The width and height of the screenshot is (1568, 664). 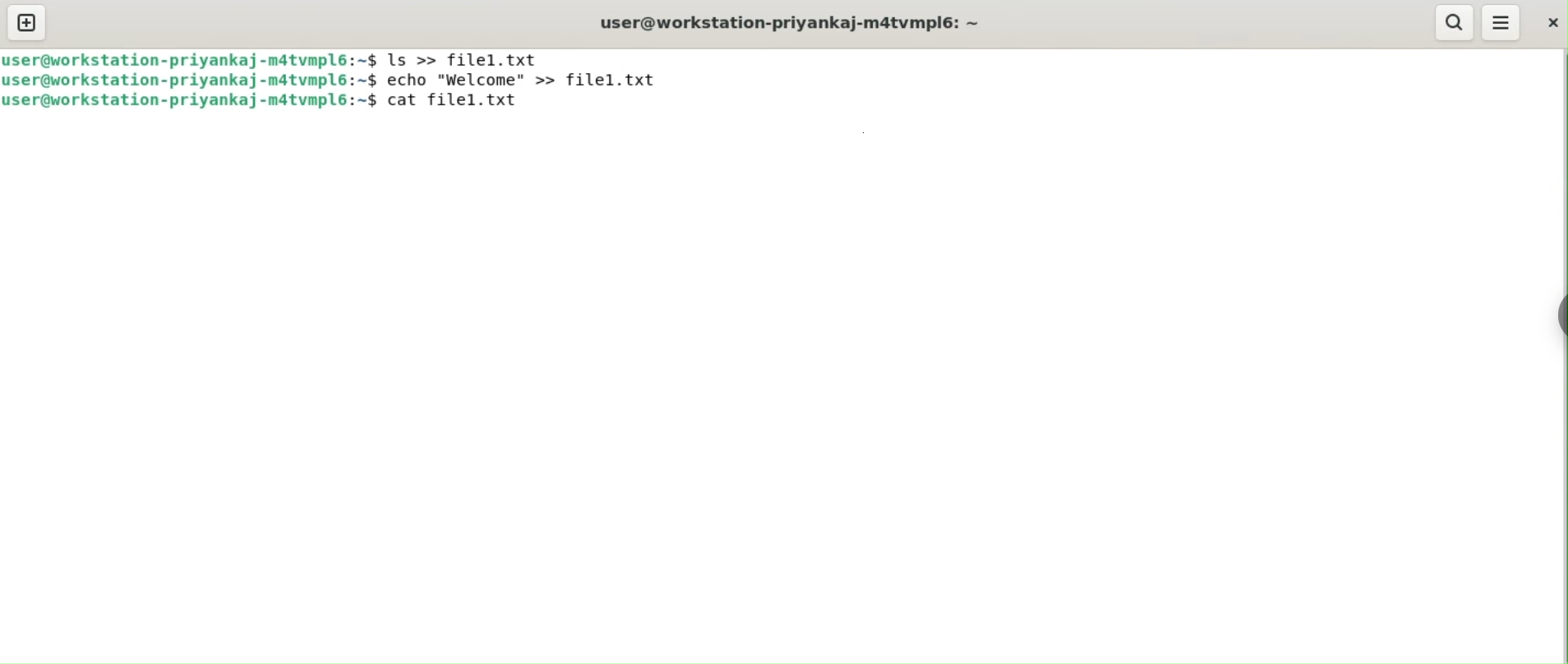 I want to click on user@workstation-priyankaj-m4tvmpl6: ~$, so click(x=189, y=104).